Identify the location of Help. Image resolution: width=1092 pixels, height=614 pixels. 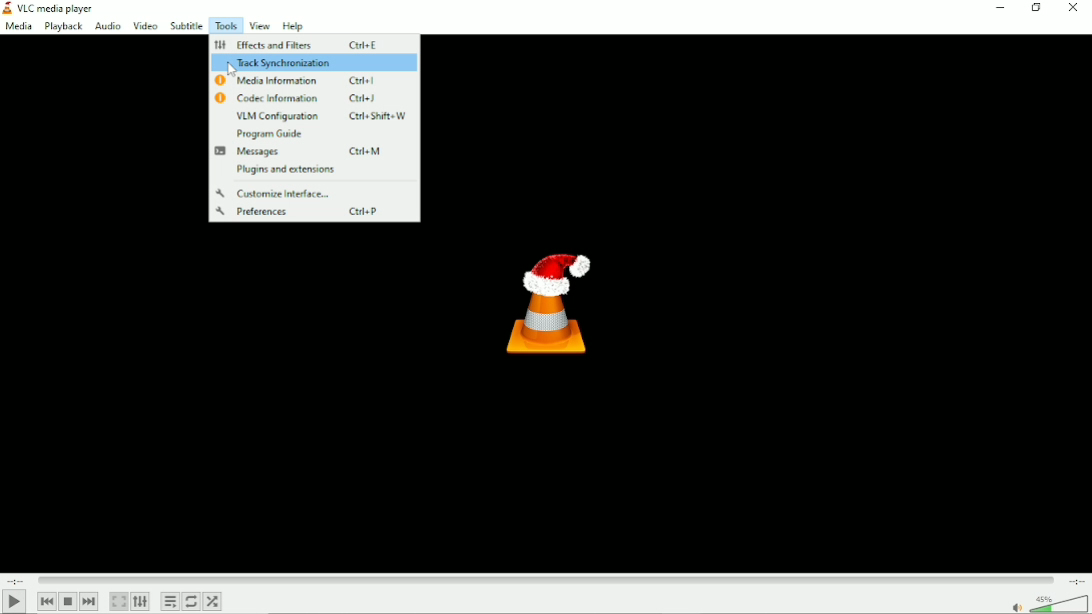
(294, 26).